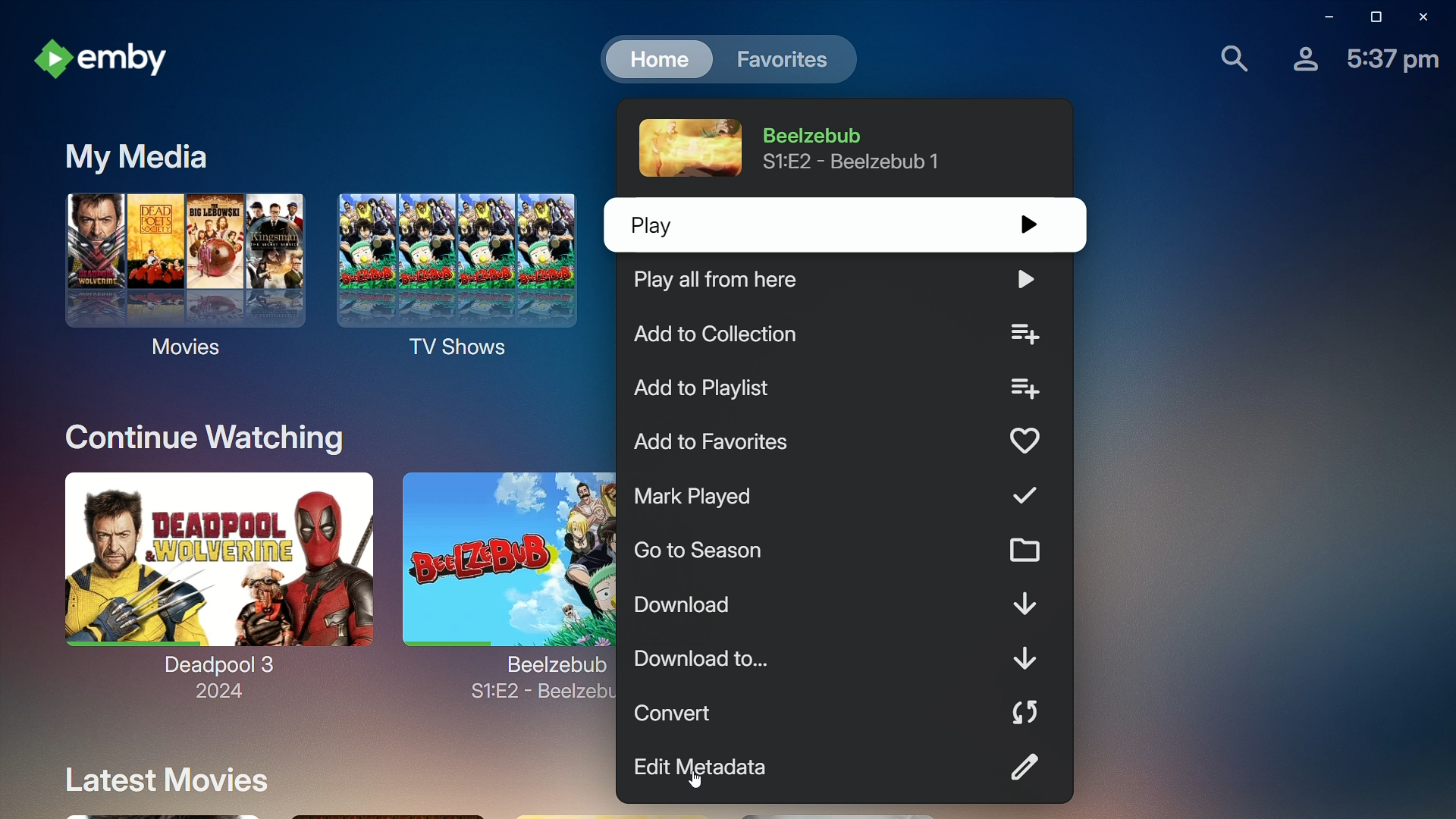 The height and width of the screenshot is (819, 1456). I want to click on Add to playlist, so click(838, 392).